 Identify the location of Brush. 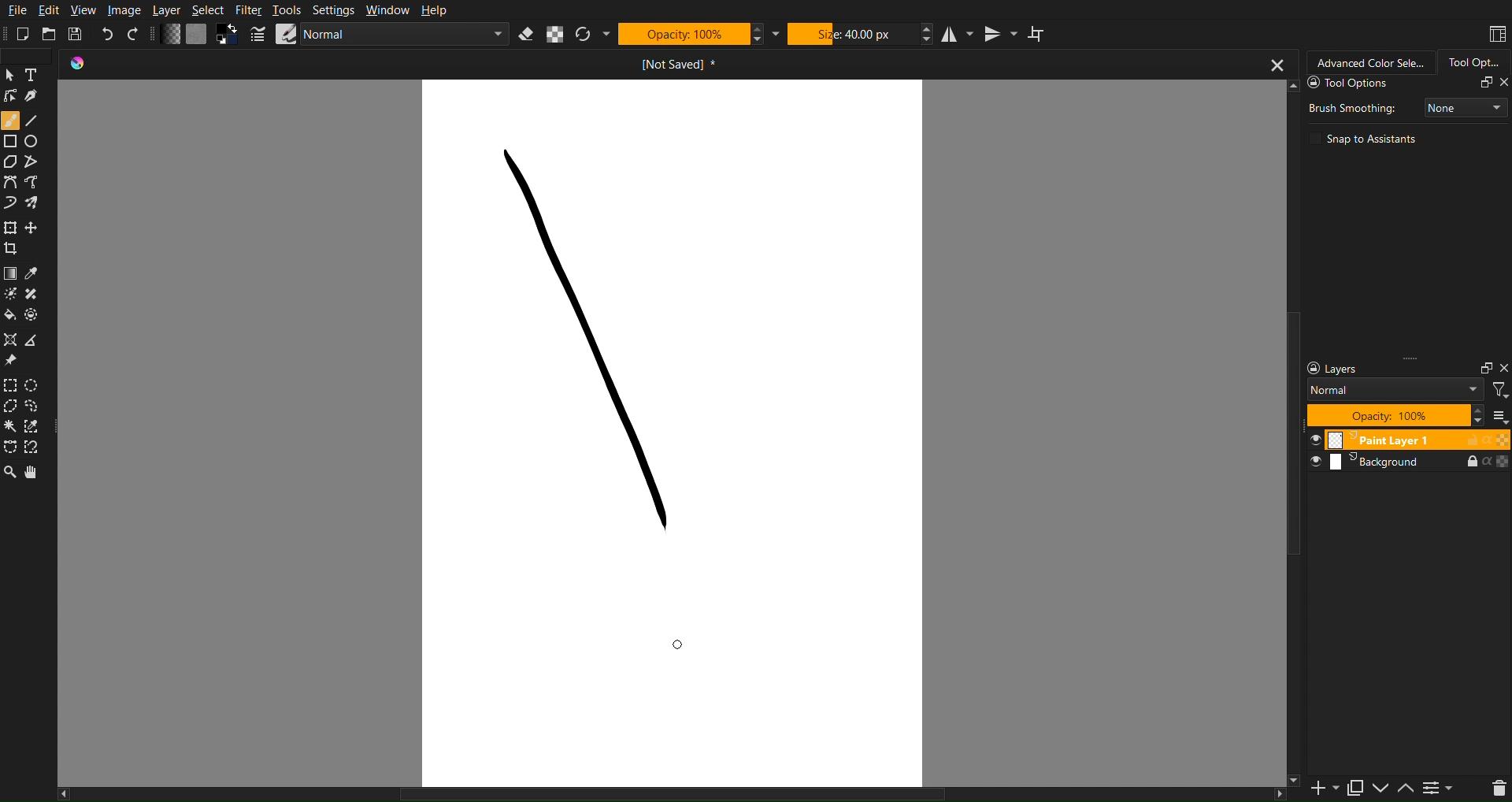
(10, 120).